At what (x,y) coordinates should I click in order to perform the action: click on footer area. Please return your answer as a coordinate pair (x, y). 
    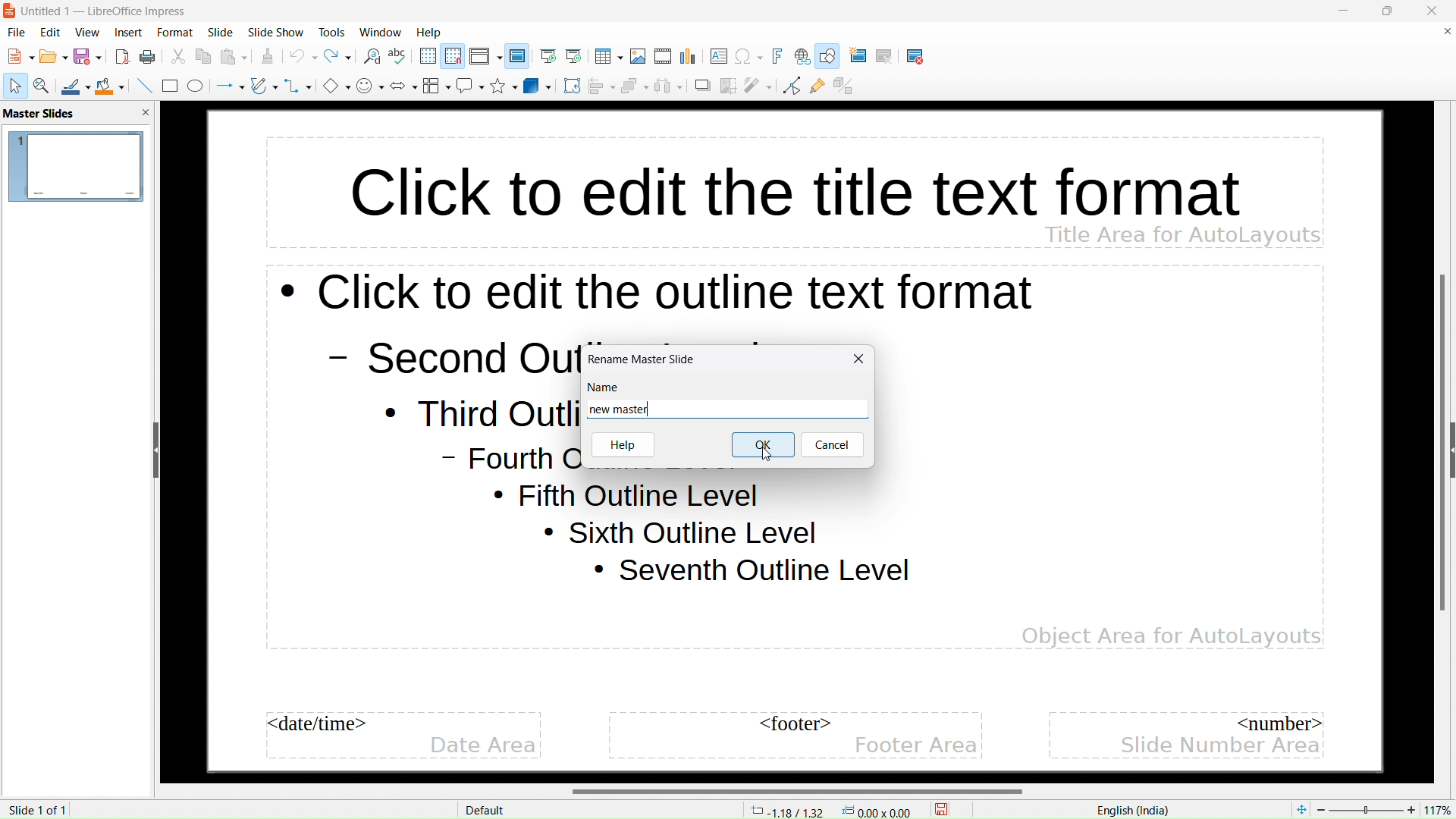
    Looking at the image, I should click on (917, 745).